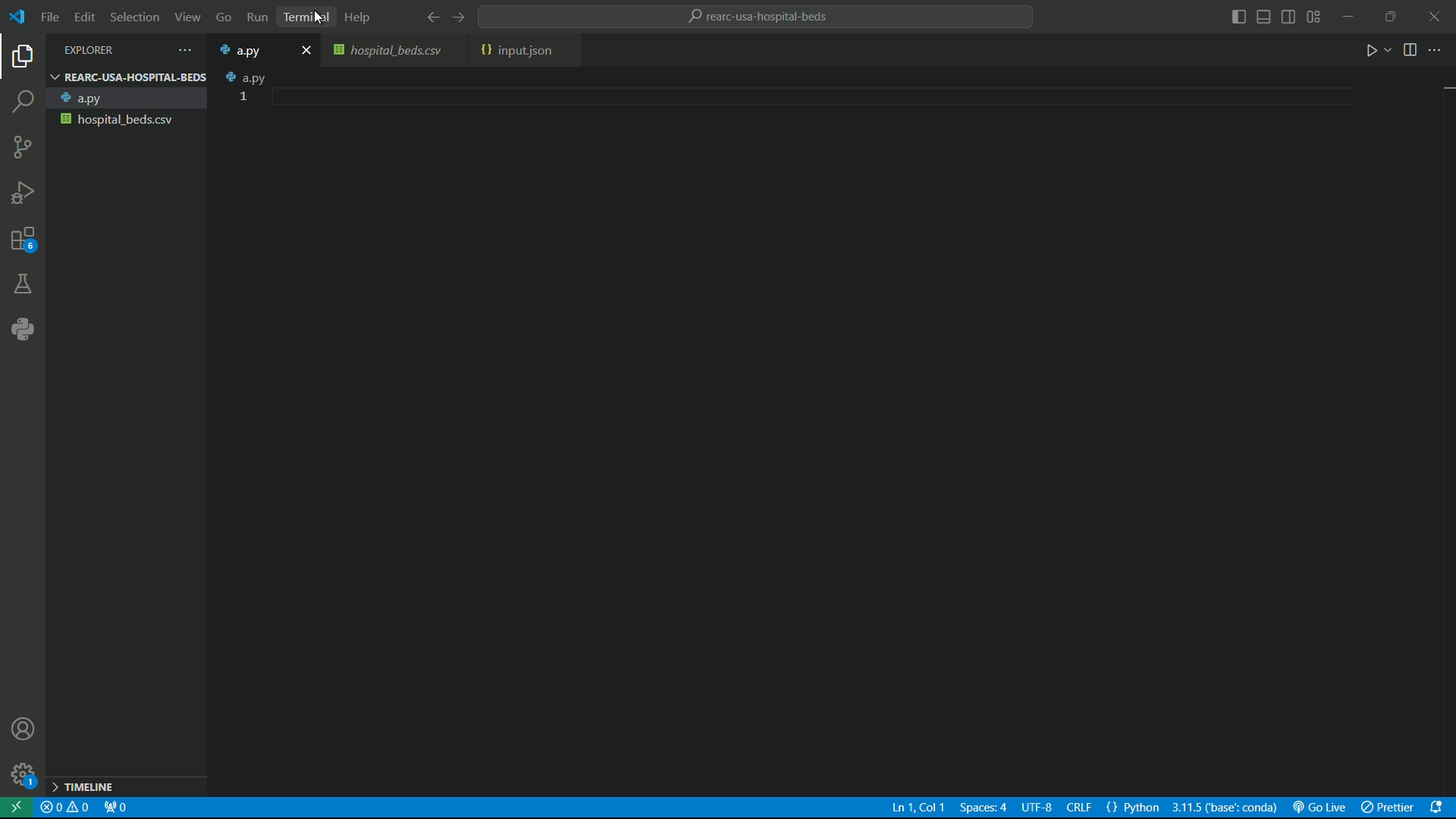 Image resolution: width=1456 pixels, height=819 pixels. What do you see at coordinates (22, 779) in the screenshot?
I see `setting` at bounding box center [22, 779].